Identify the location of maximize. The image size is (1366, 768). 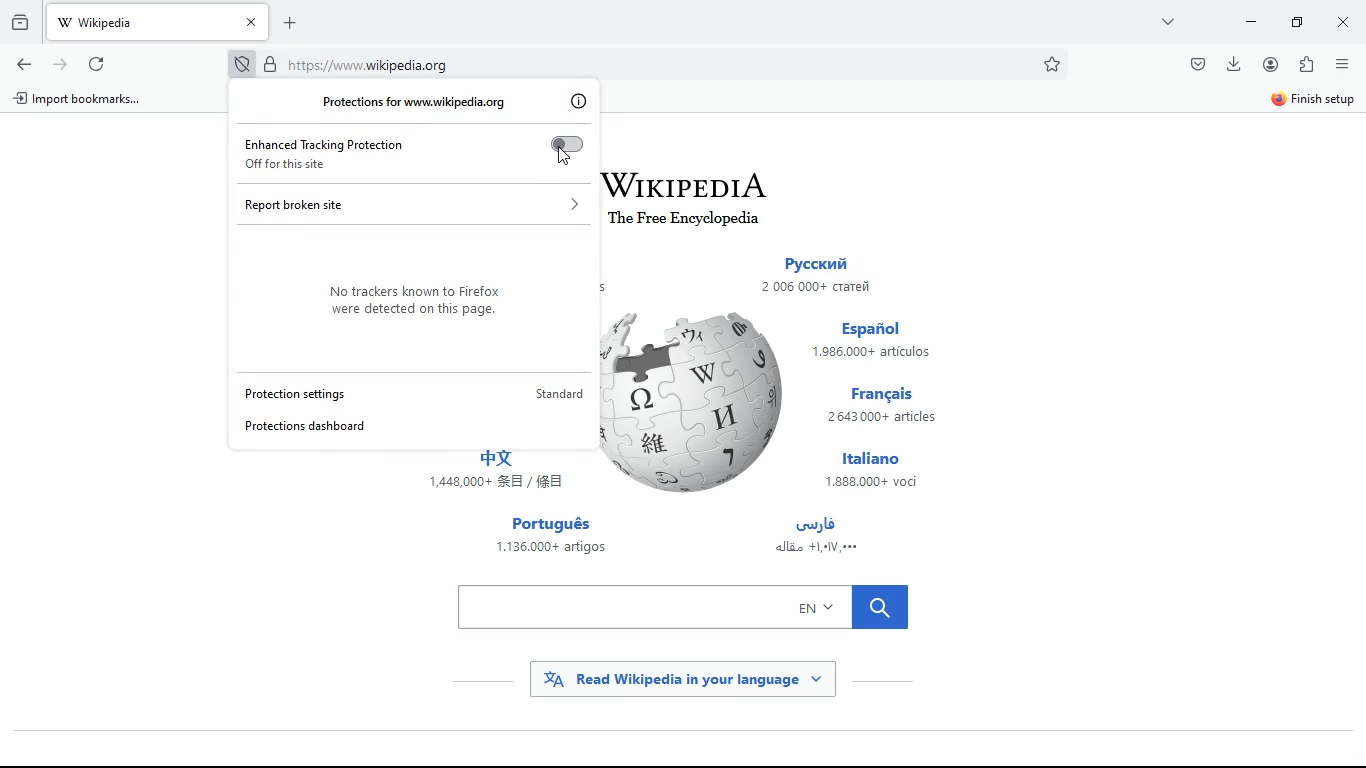
(1296, 22).